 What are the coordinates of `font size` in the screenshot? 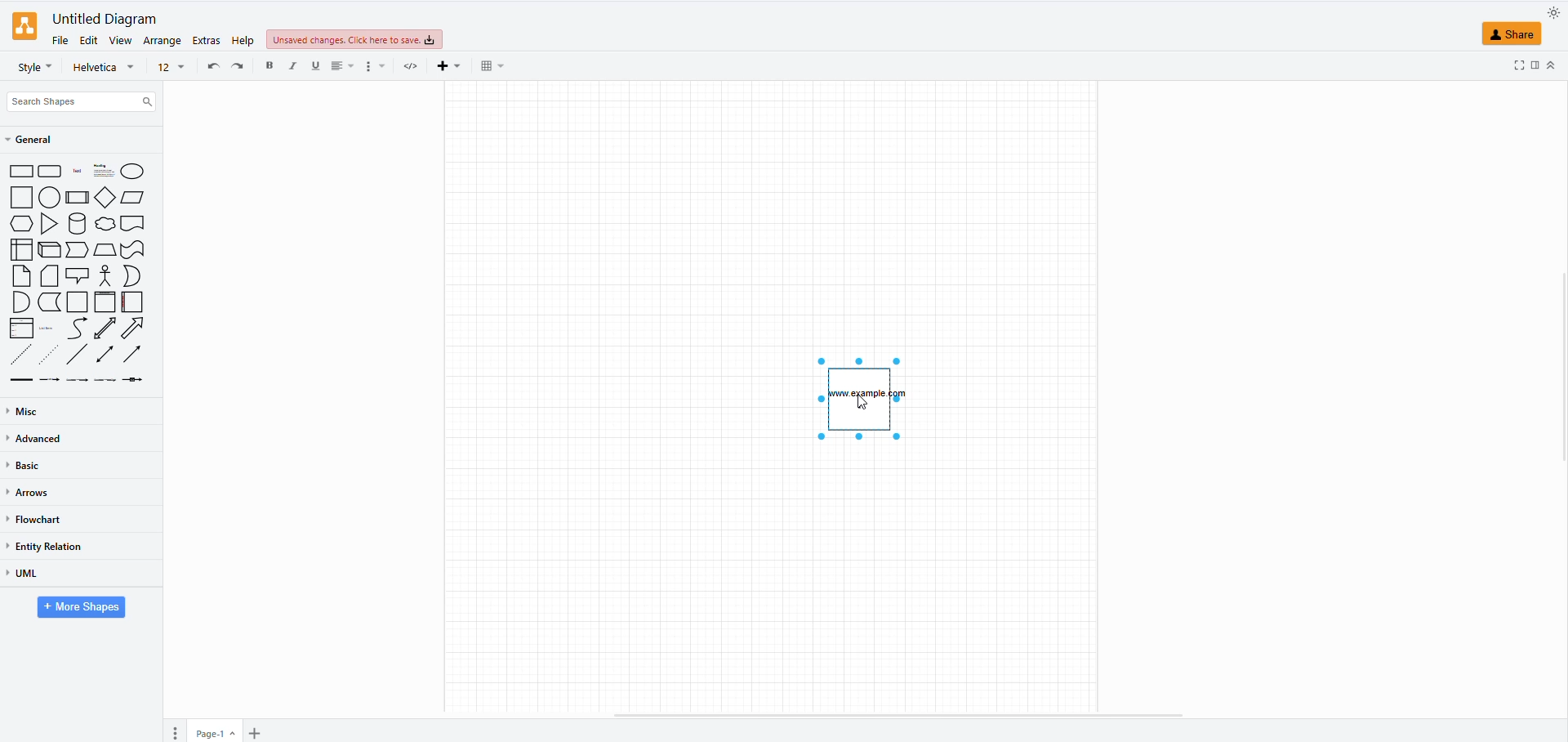 It's located at (171, 68).